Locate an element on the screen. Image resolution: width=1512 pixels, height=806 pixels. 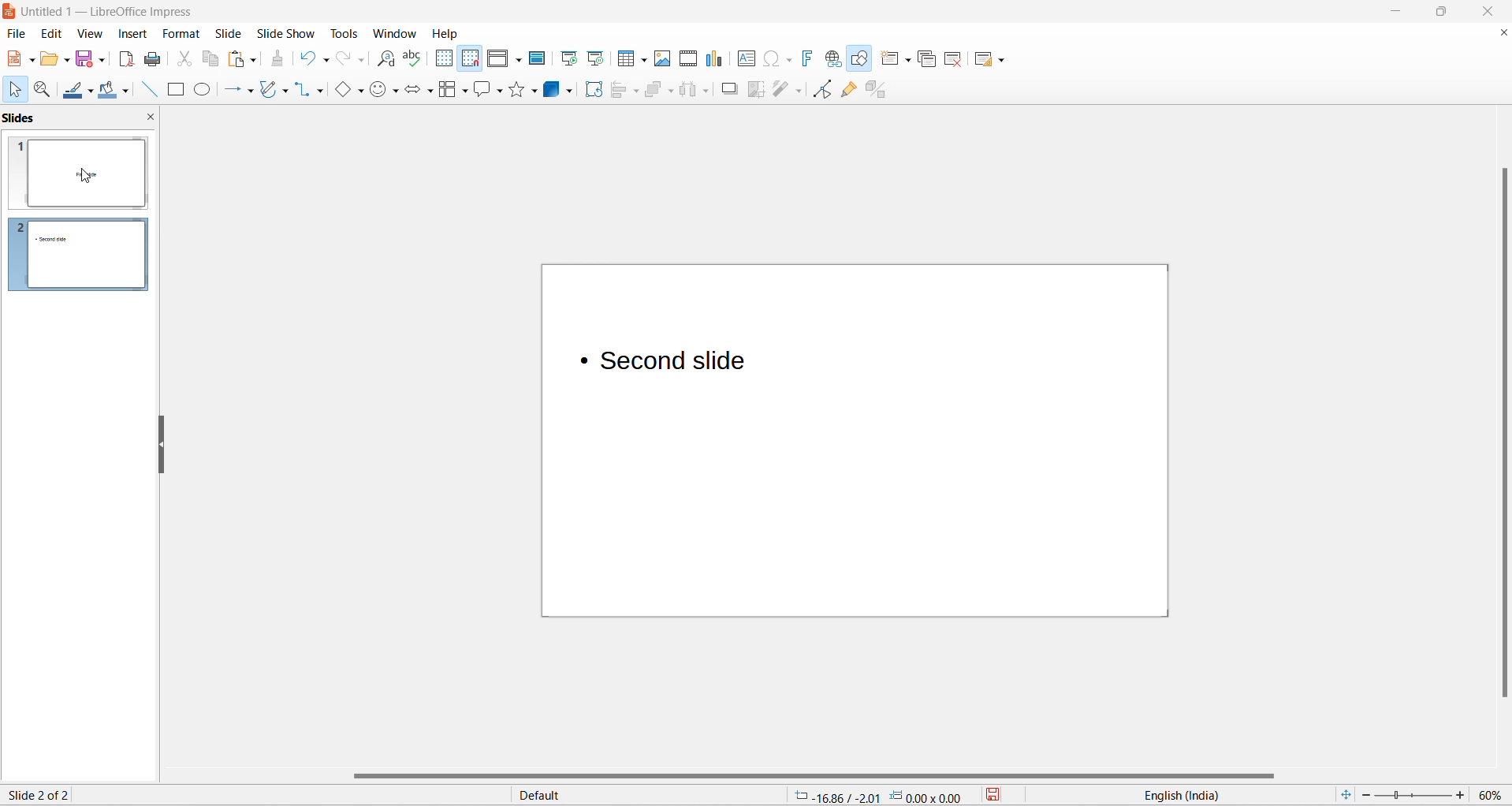
start from first slide is located at coordinates (568, 57).